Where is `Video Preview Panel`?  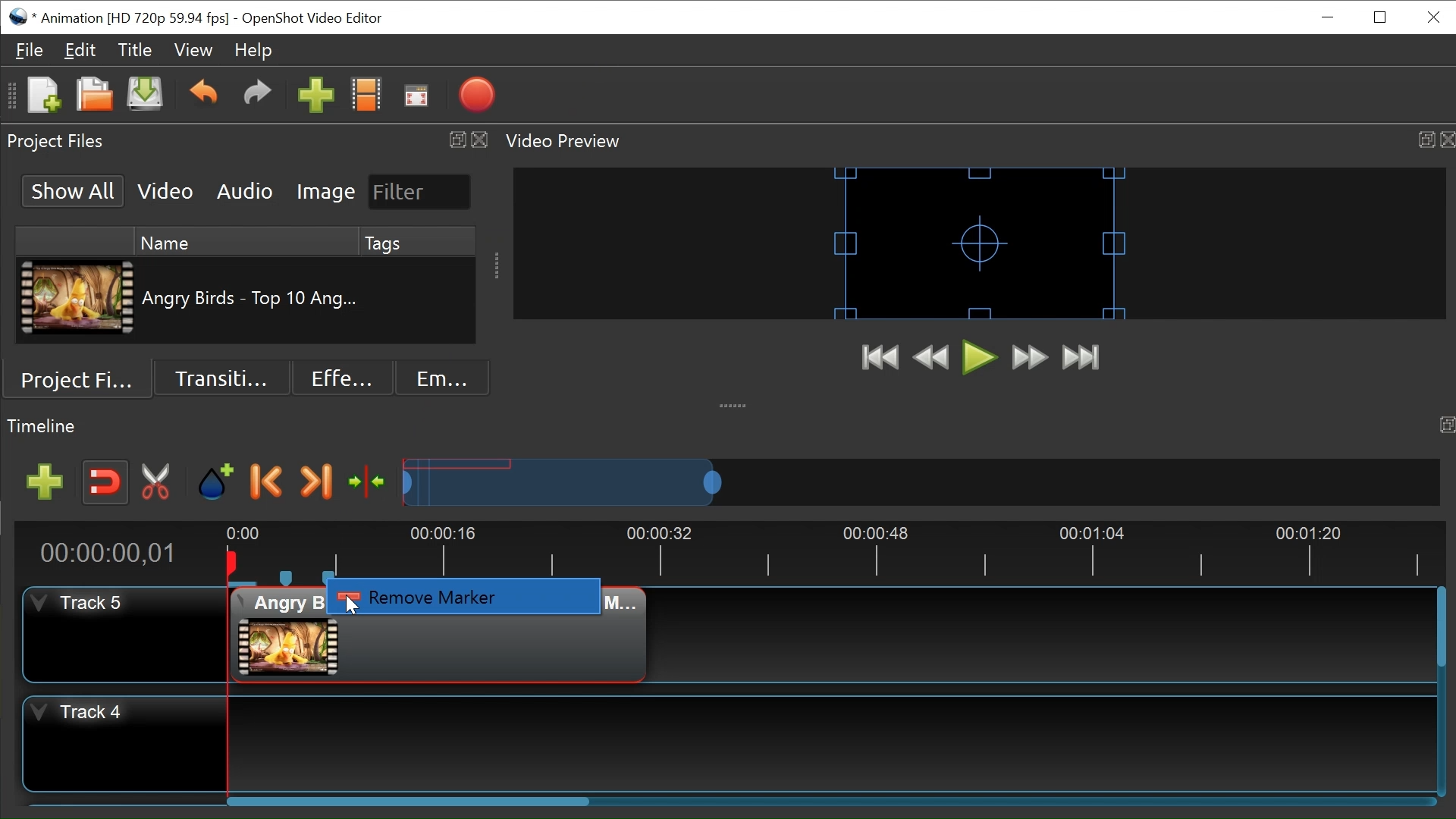
Video Preview Panel is located at coordinates (979, 142).